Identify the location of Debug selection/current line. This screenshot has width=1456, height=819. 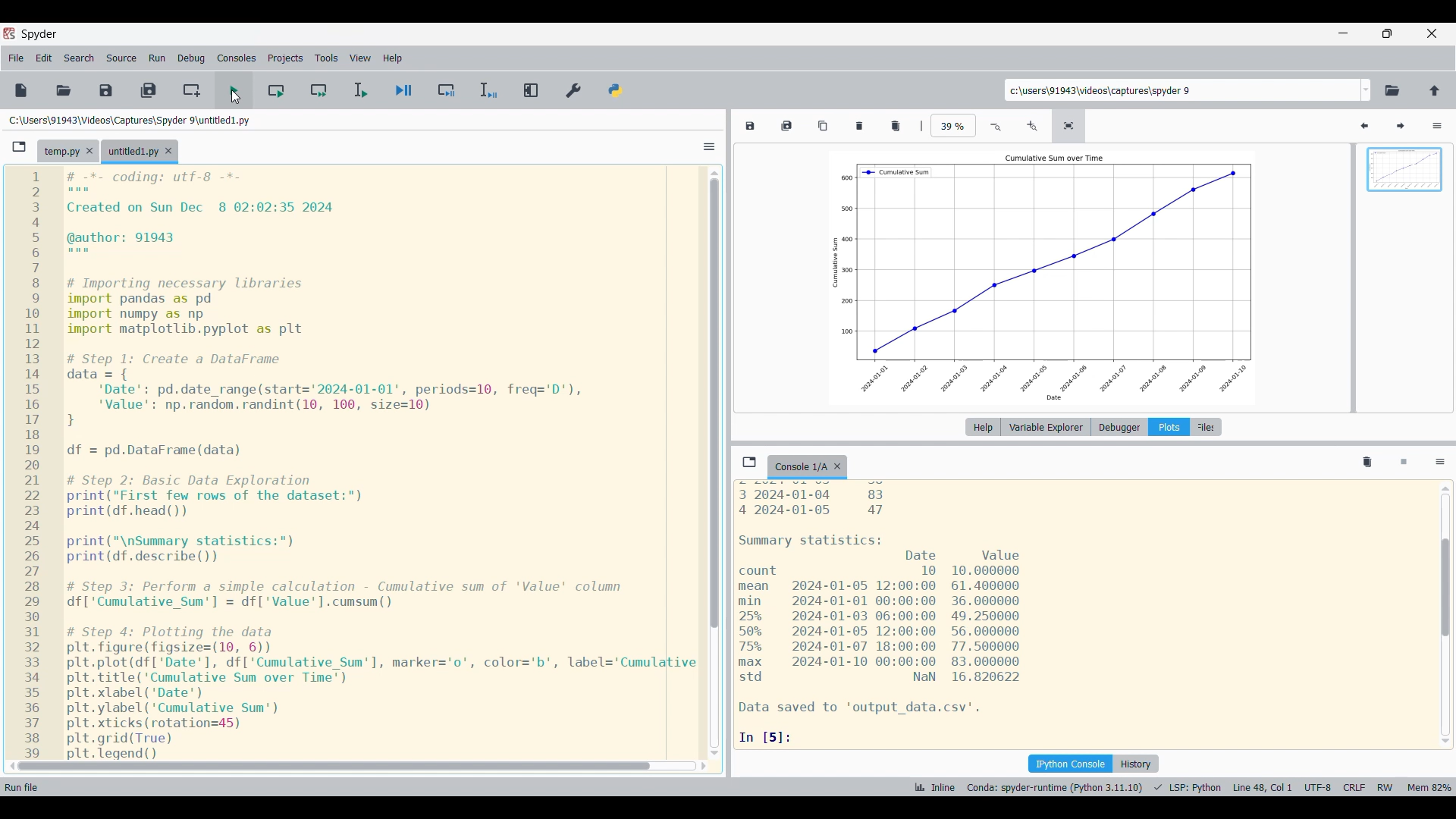
(488, 90).